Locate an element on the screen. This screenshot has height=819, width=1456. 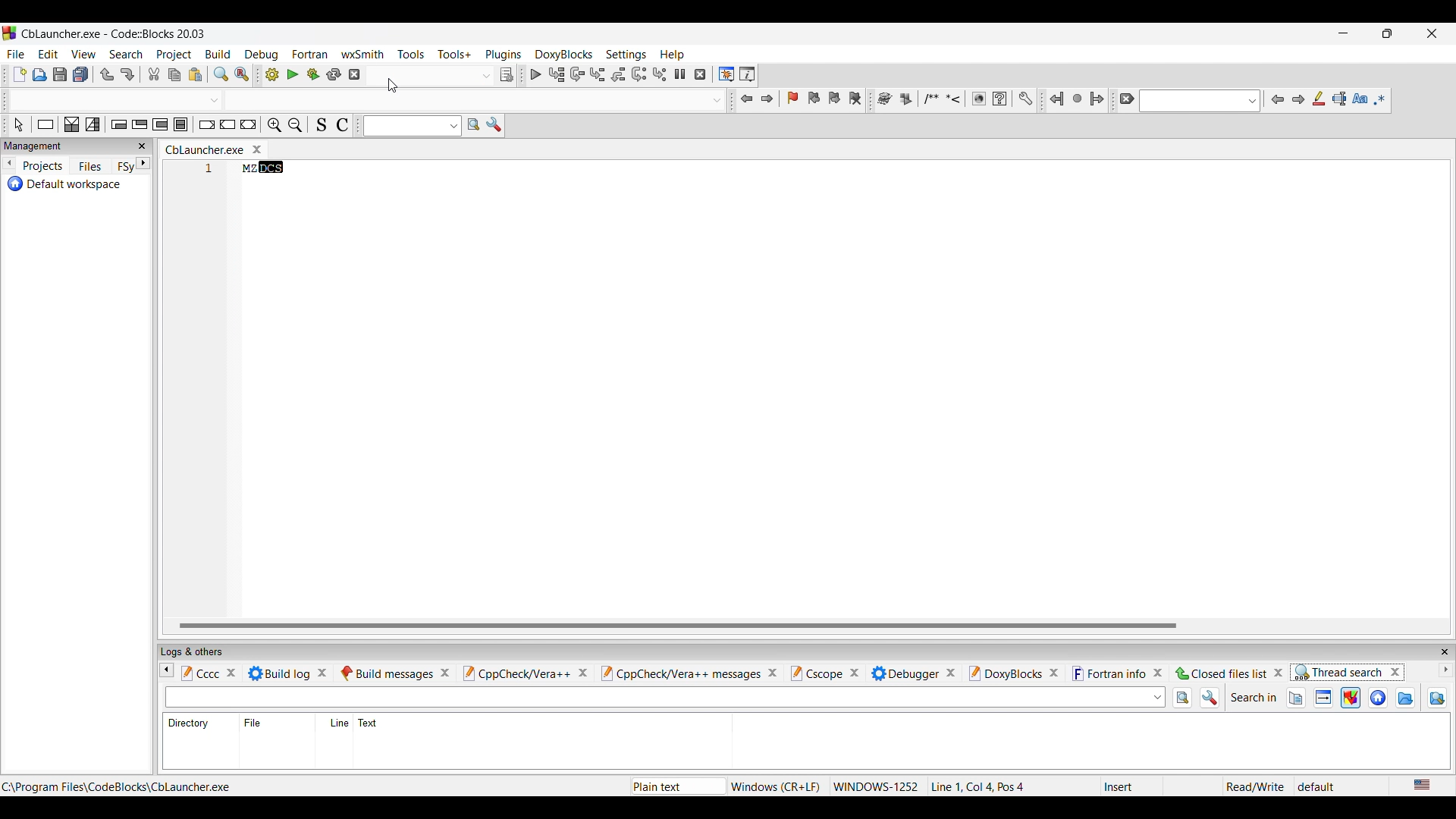
Use regex is located at coordinates (1380, 99).